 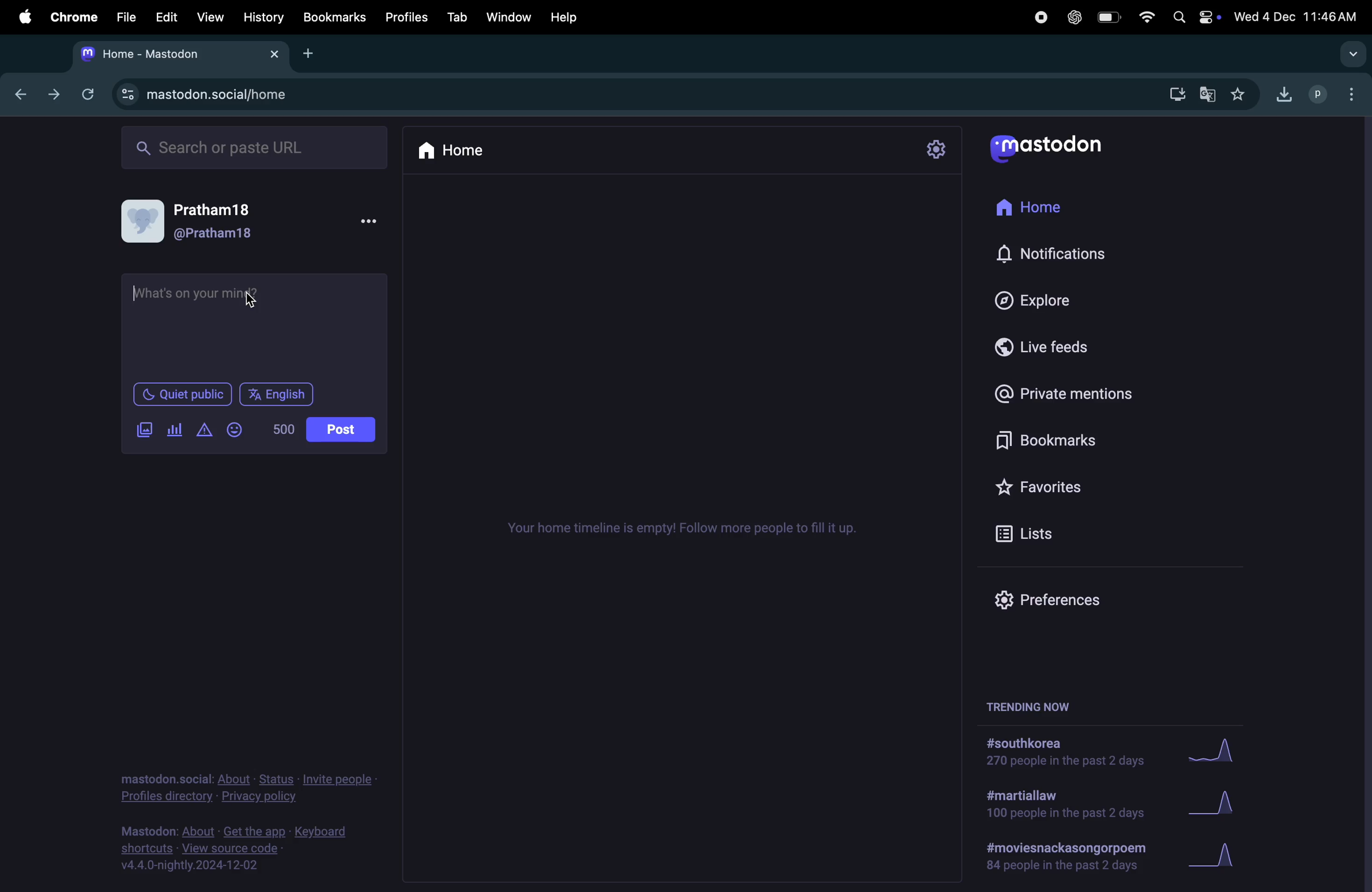 What do you see at coordinates (1030, 533) in the screenshot?
I see `lists` at bounding box center [1030, 533].